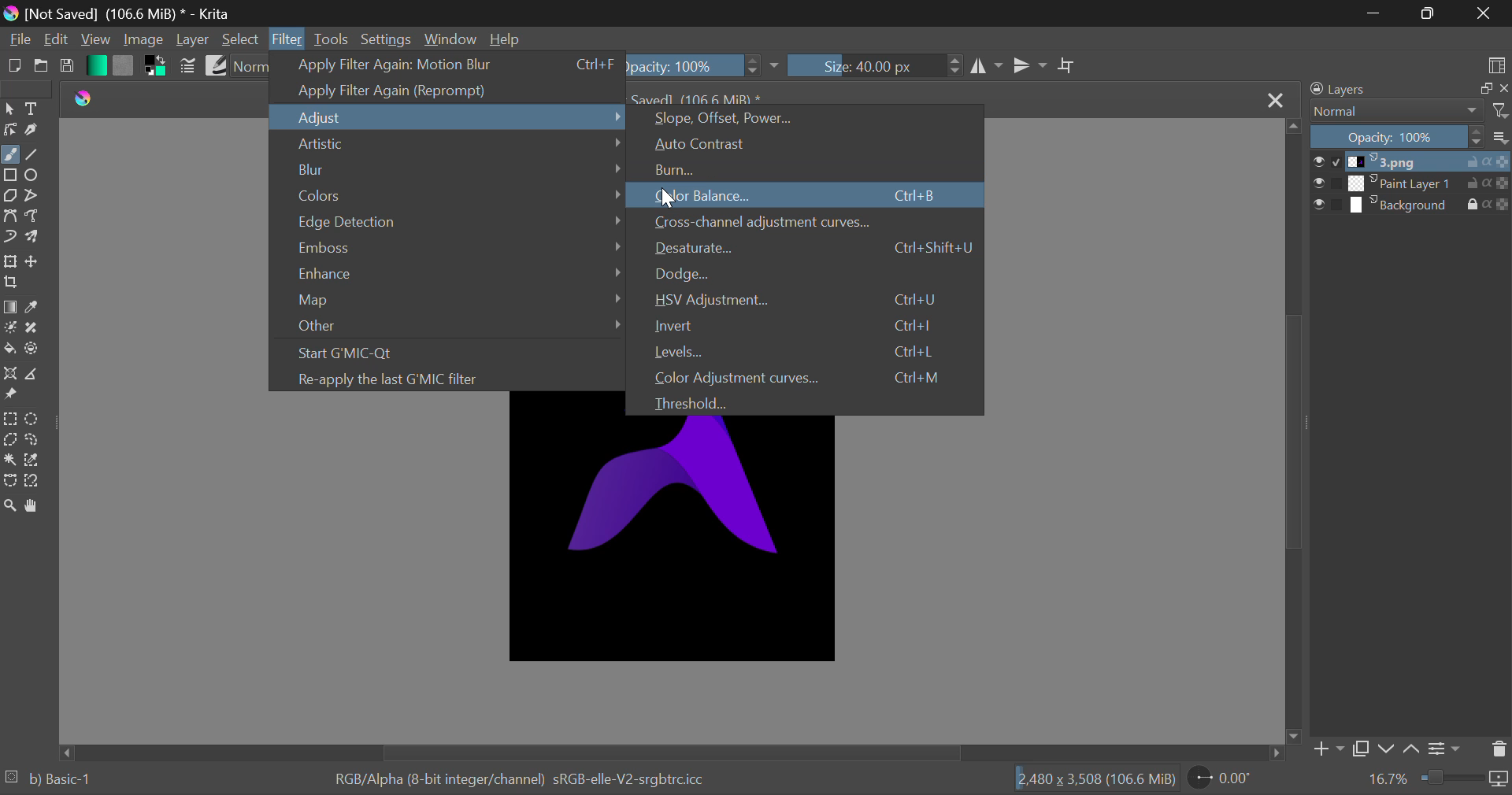 Image resolution: width=1512 pixels, height=795 pixels. I want to click on Polygons, so click(9, 197).